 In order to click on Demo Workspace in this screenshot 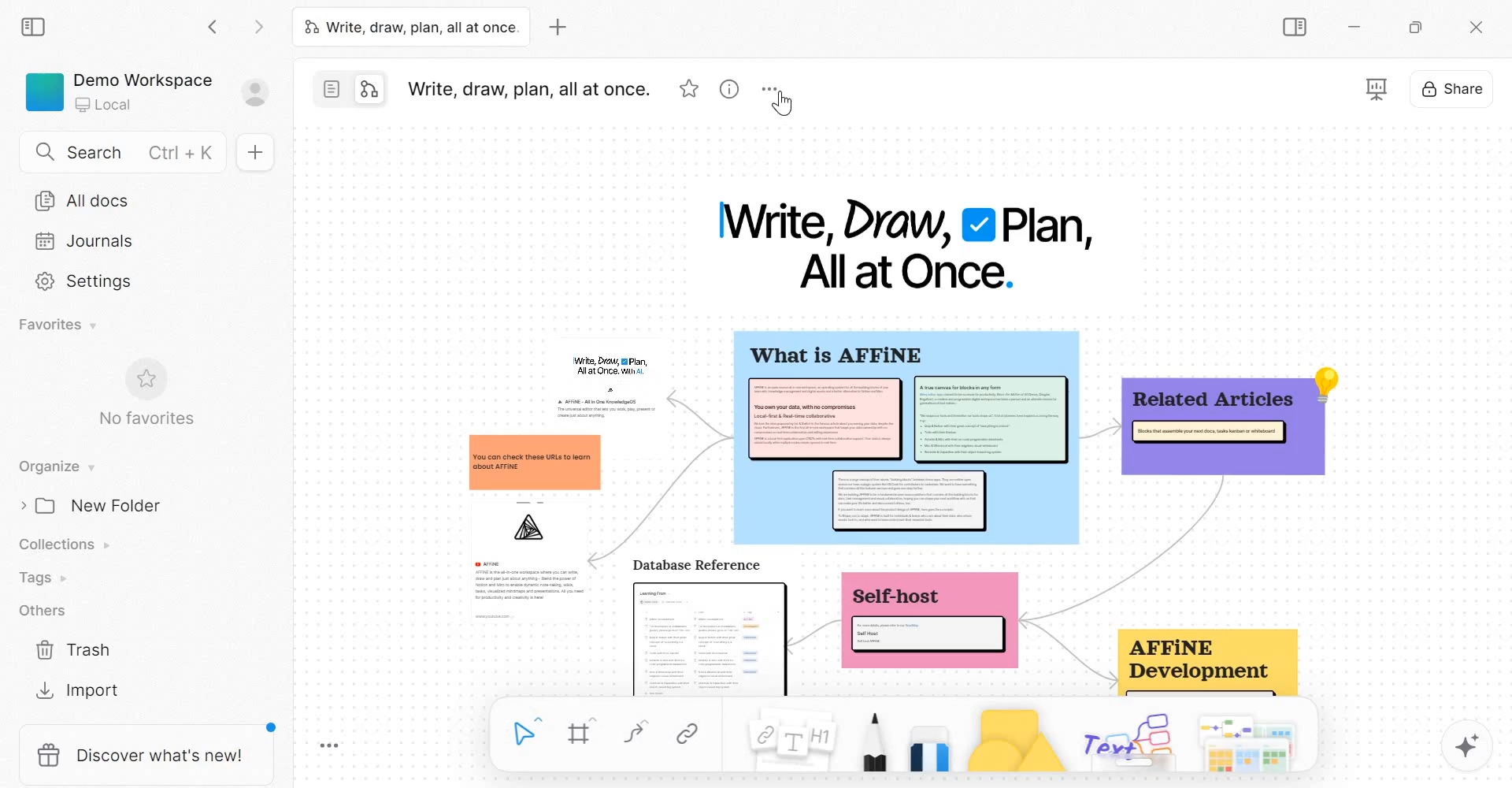, I will do `click(154, 91)`.